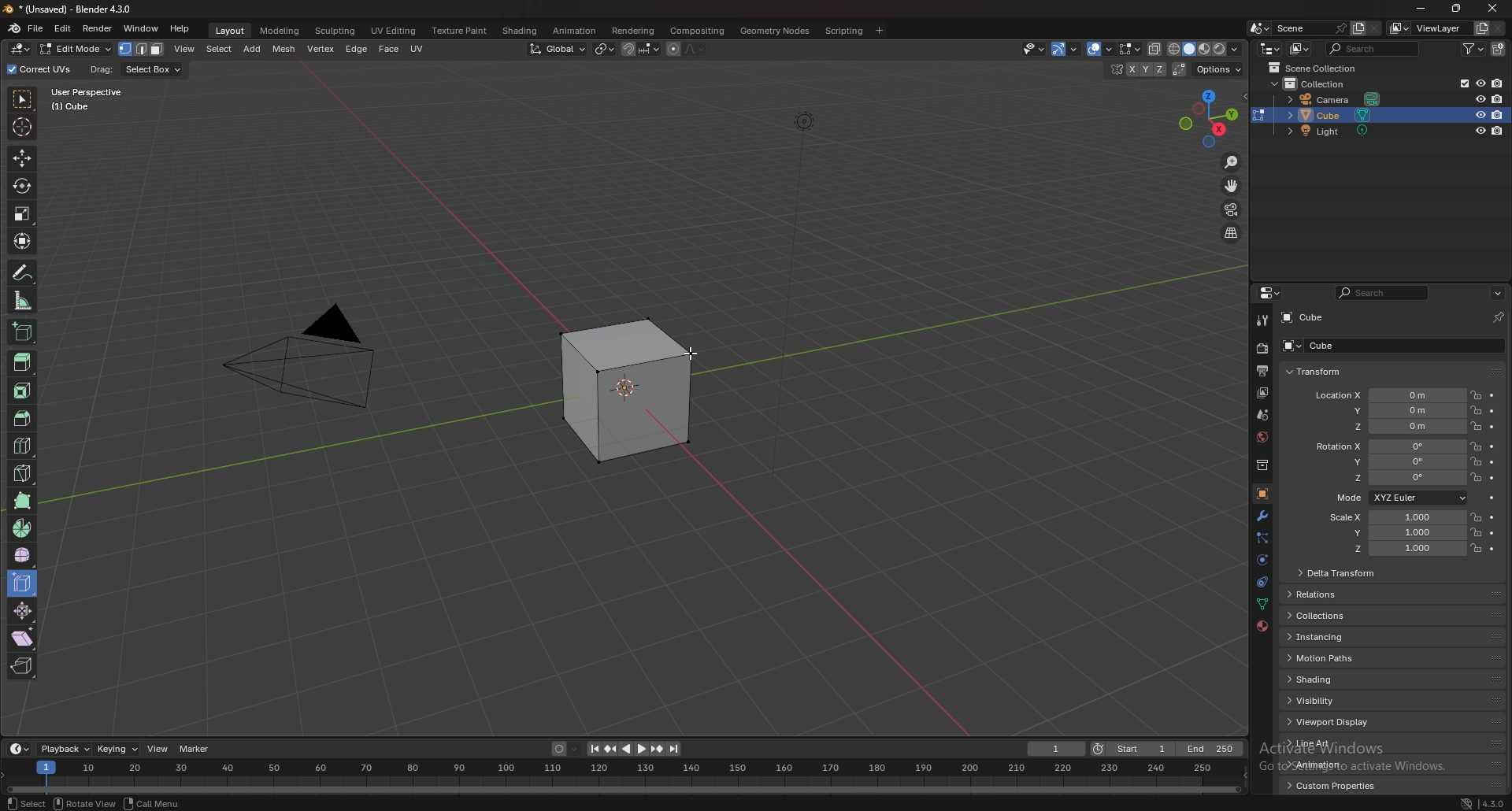 This screenshot has height=811, width=1512. I want to click on location y, so click(1395, 410).